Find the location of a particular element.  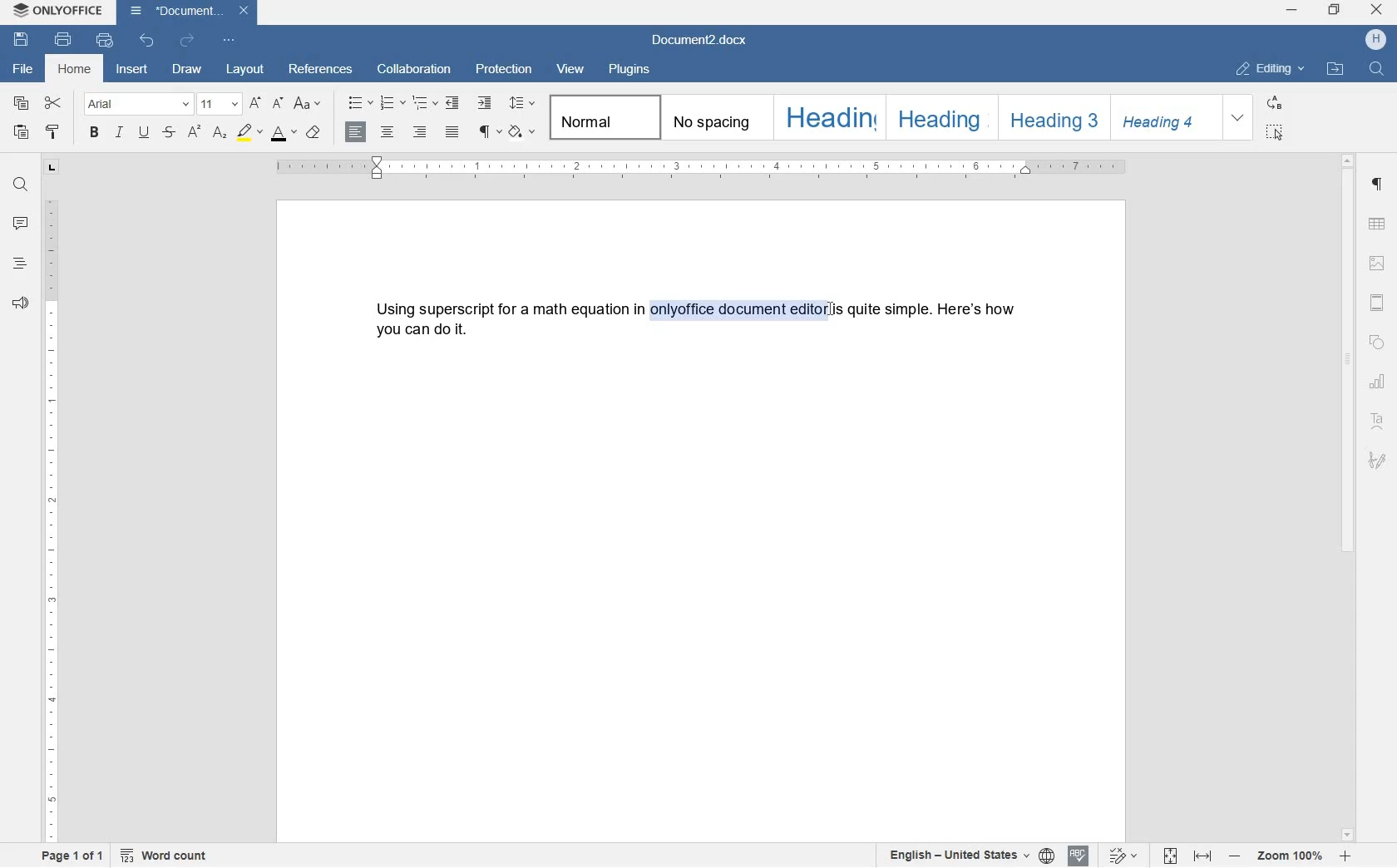

headings is located at coordinates (20, 264).